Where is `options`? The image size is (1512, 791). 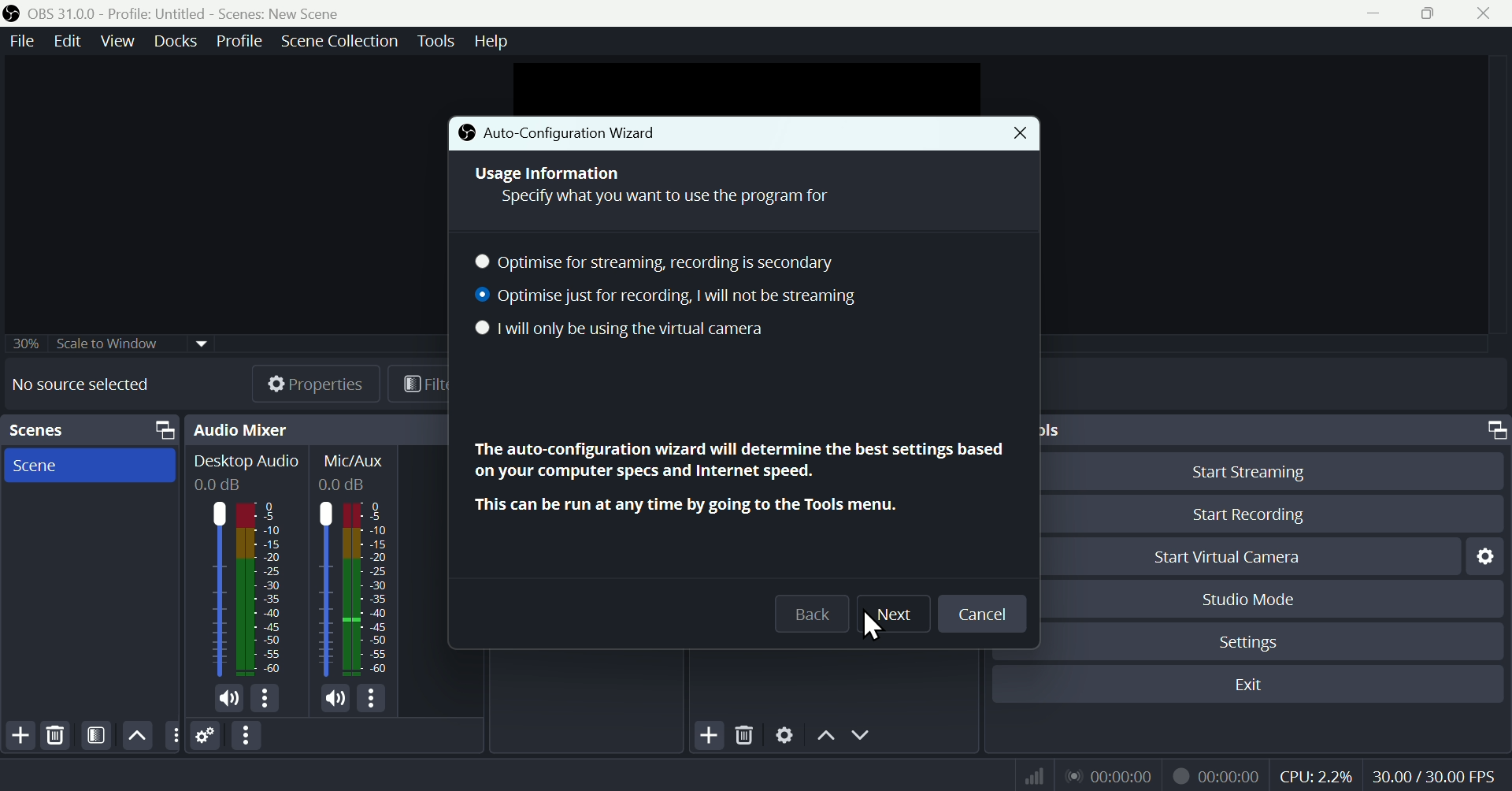 options is located at coordinates (172, 734).